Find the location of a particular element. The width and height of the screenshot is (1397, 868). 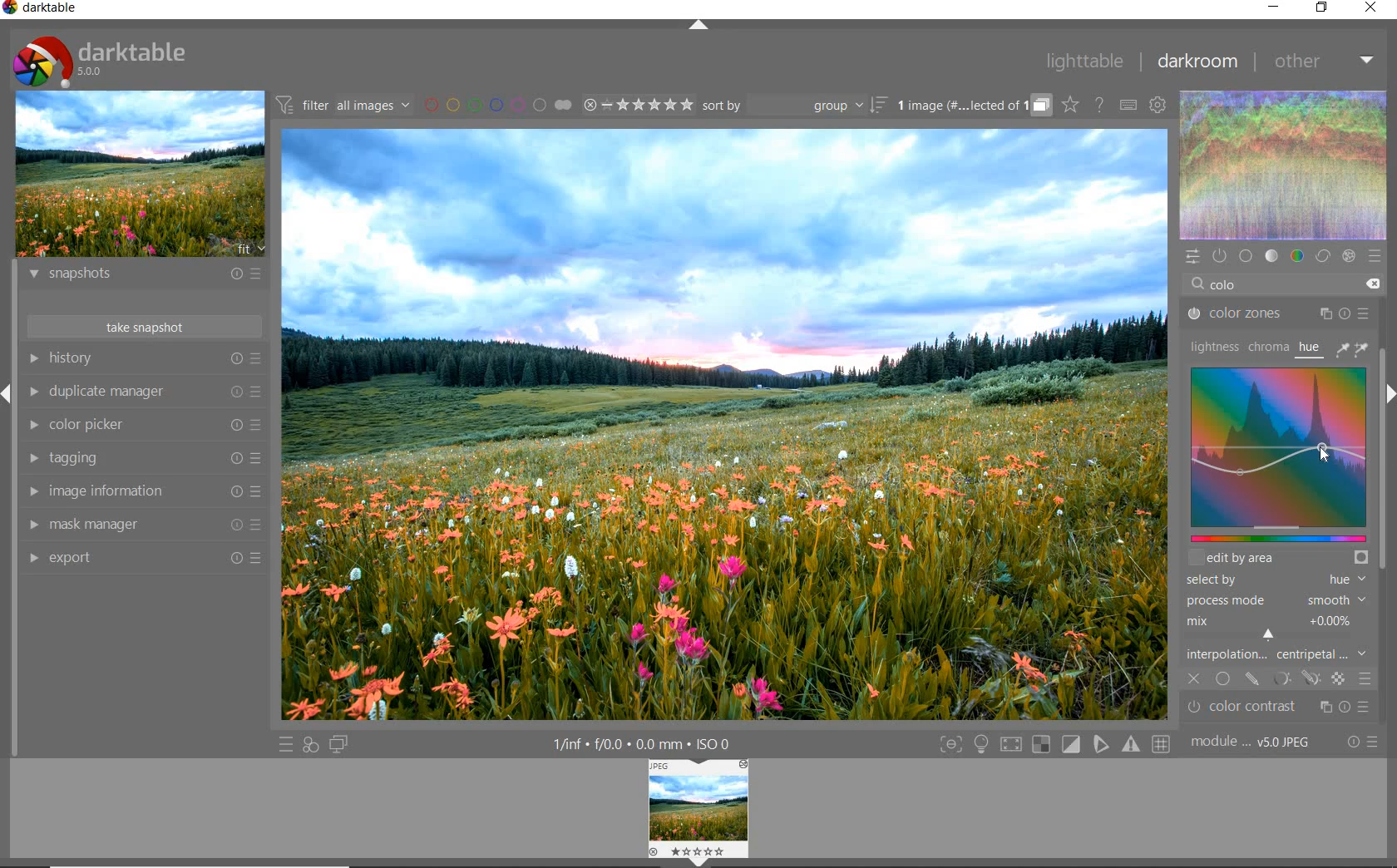

image preview is located at coordinates (140, 176).